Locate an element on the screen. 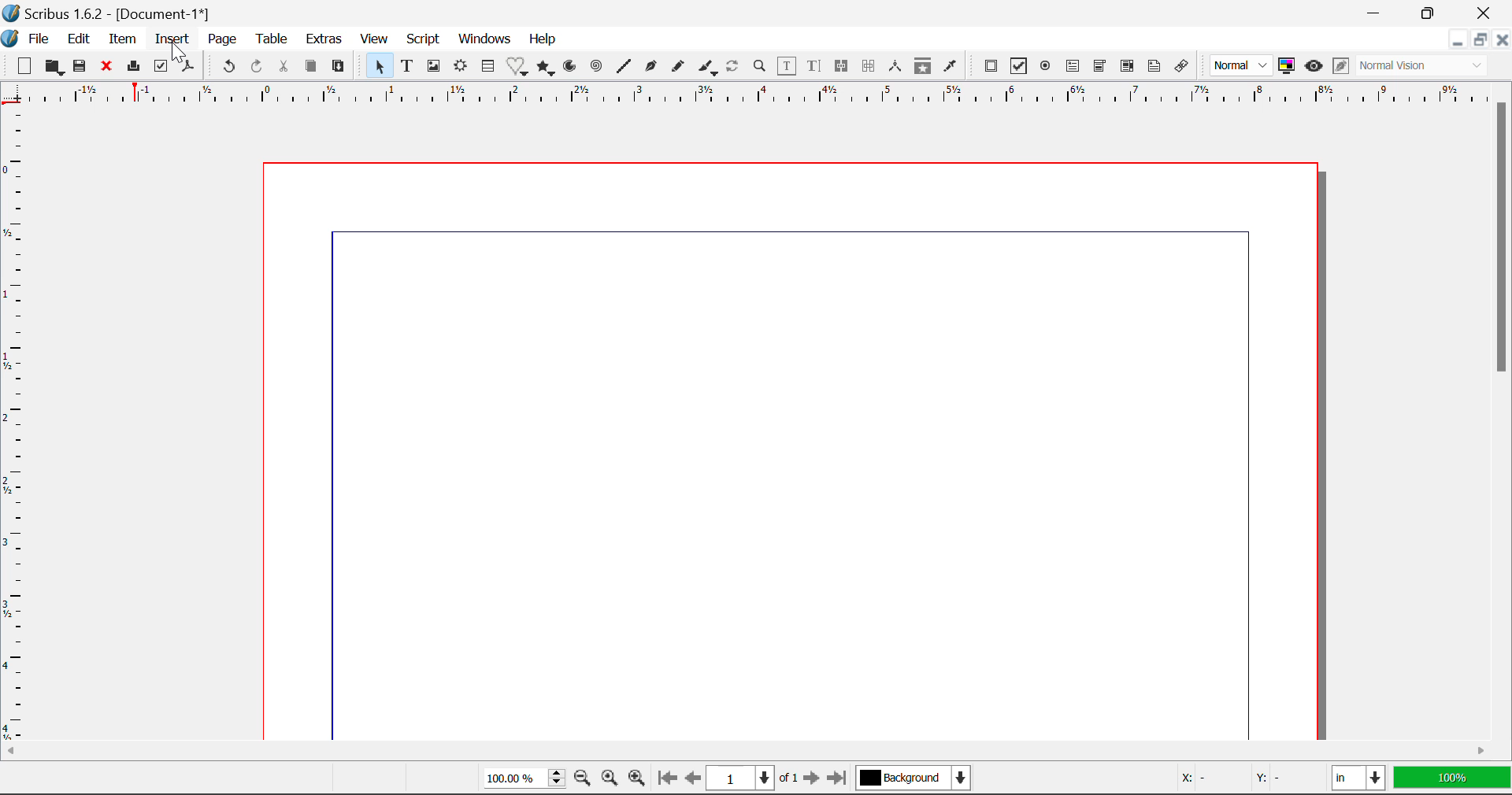  Freehand Curve is located at coordinates (680, 66).